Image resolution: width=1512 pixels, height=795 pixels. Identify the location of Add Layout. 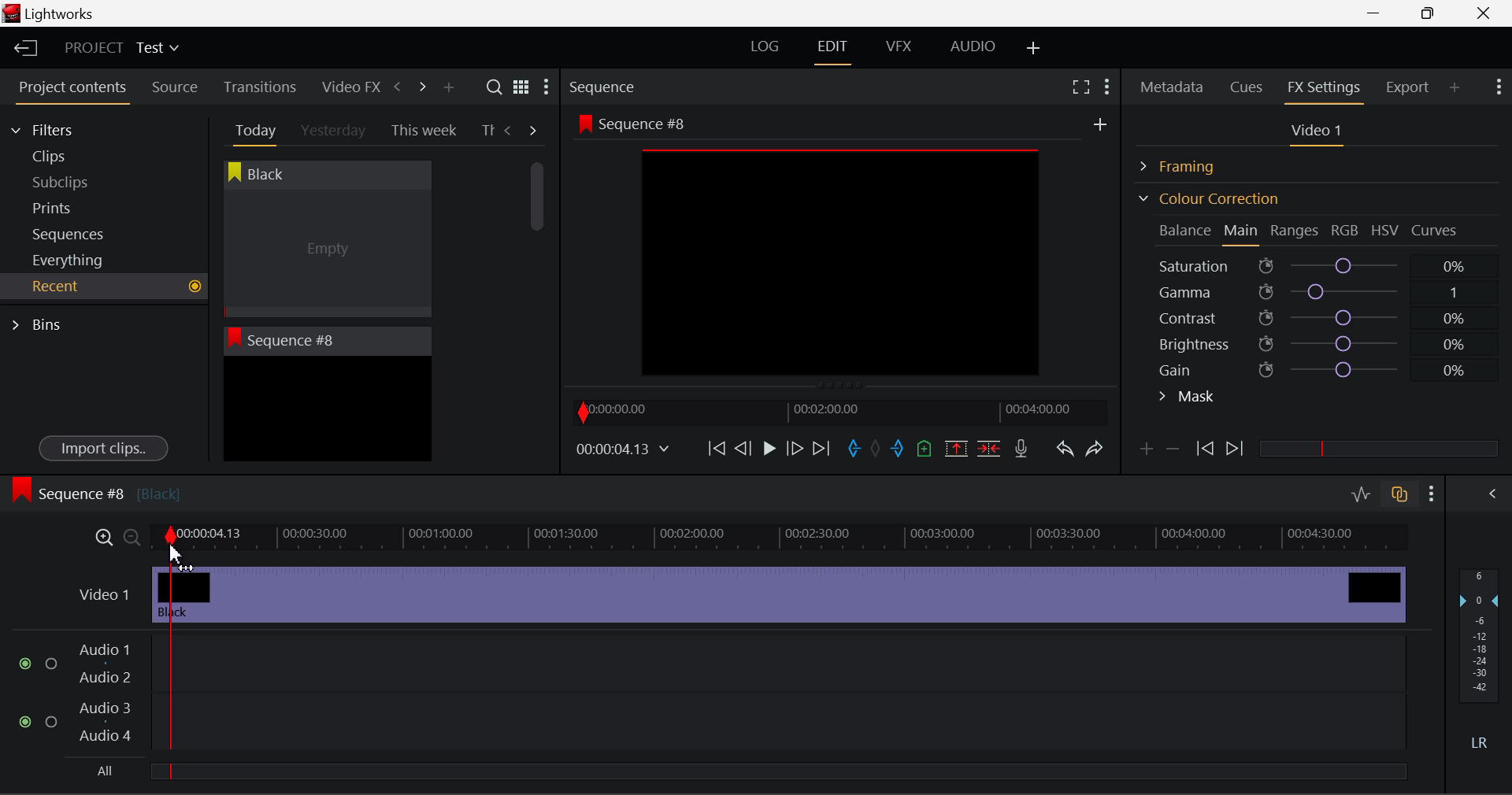
(1034, 49).